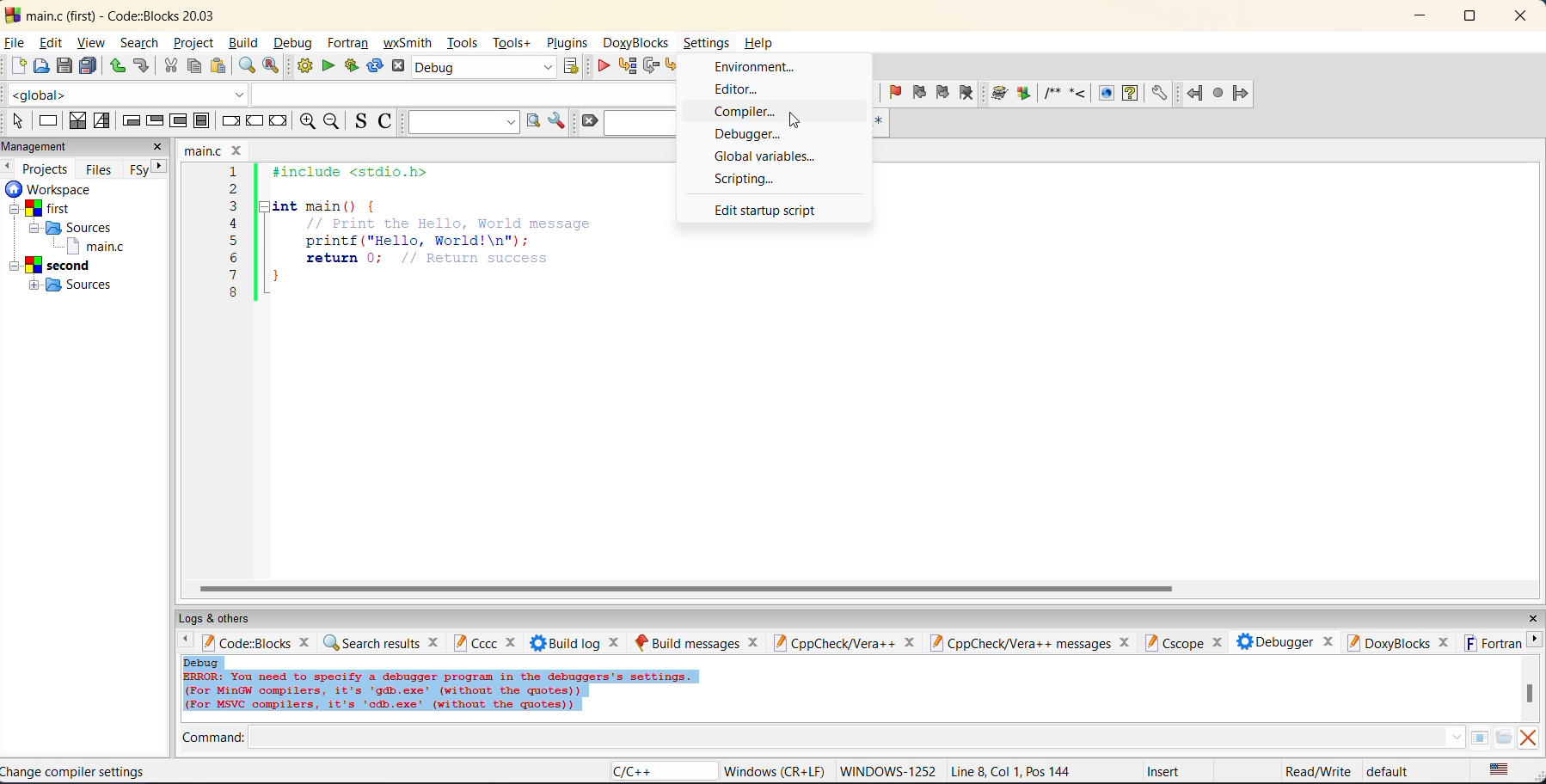  What do you see at coordinates (216, 616) in the screenshot?
I see `logs and others` at bounding box center [216, 616].